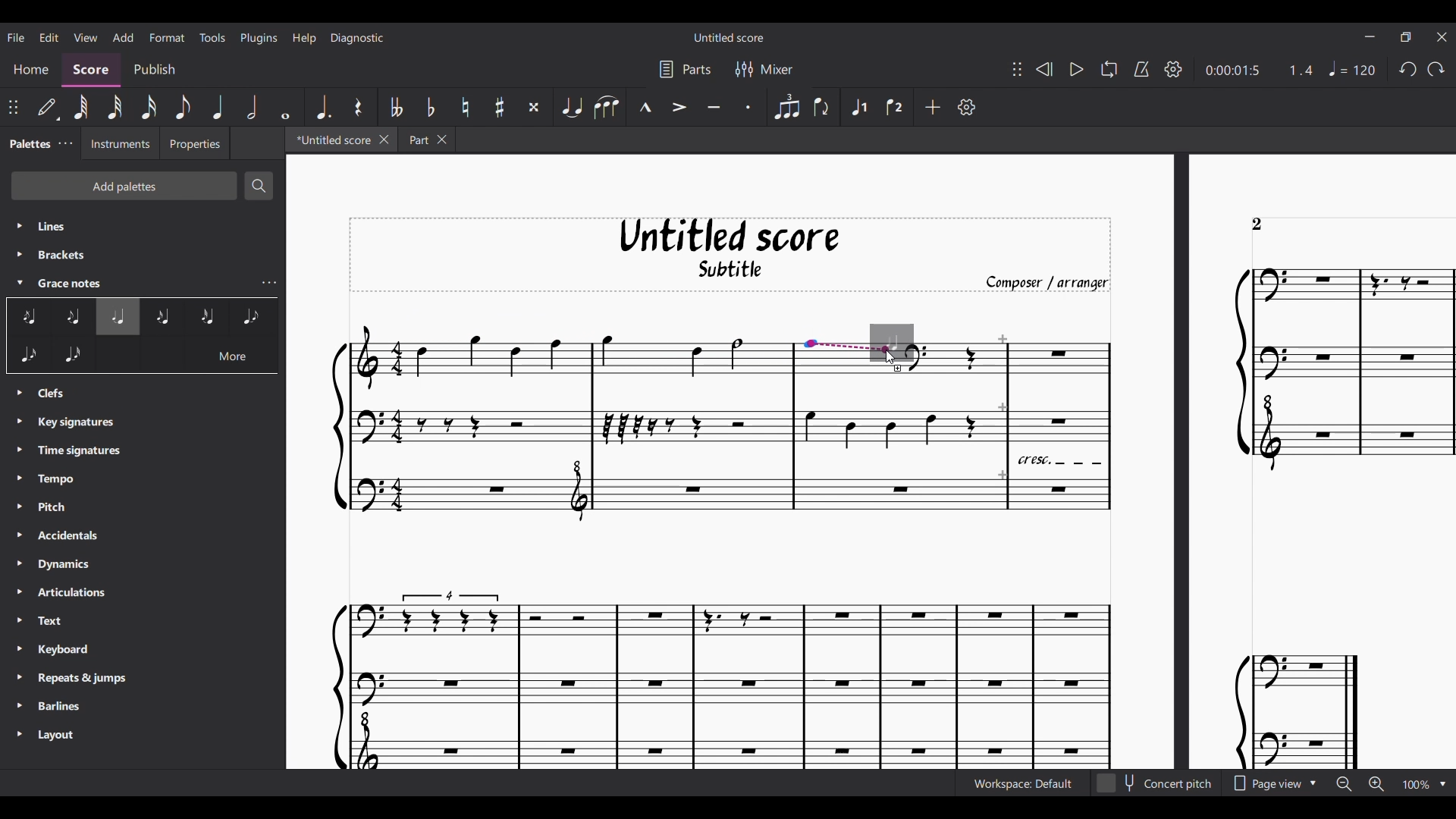 This screenshot has height=819, width=1456. What do you see at coordinates (1043, 68) in the screenshot?
I see `Rewind` at bounding box center [1043, 68].